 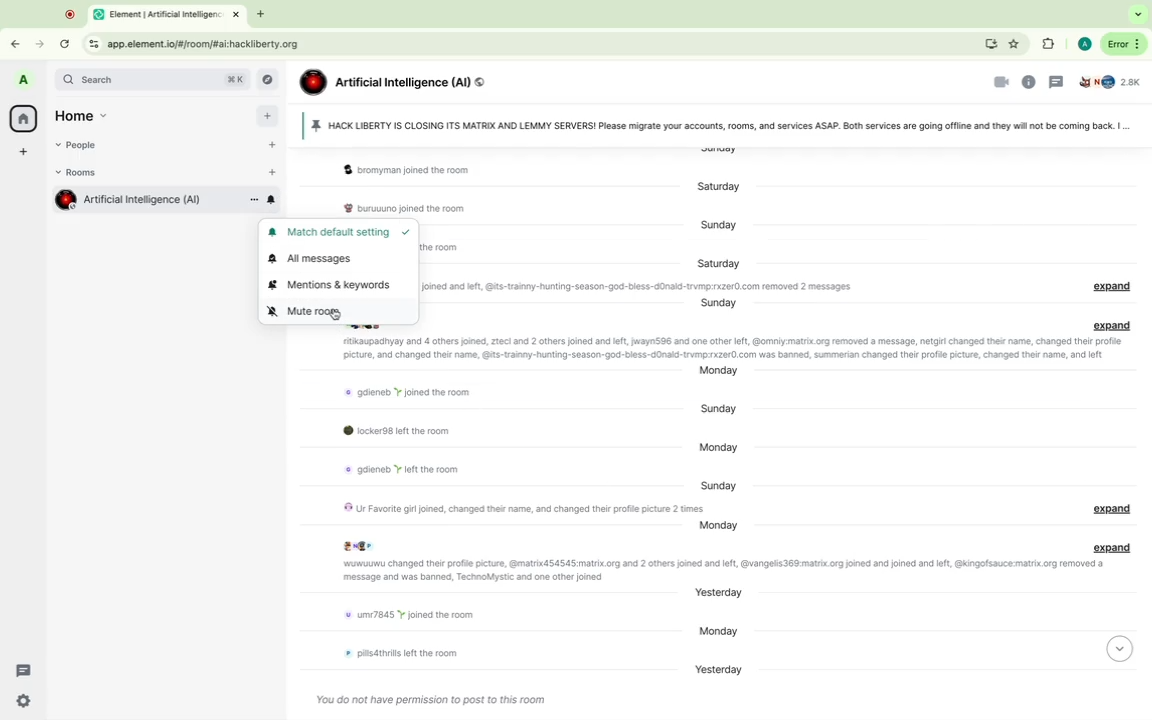 What do you see at coordinates (401, 390) in the screenshot?
I see `Message` at bounding box center [401, 390].